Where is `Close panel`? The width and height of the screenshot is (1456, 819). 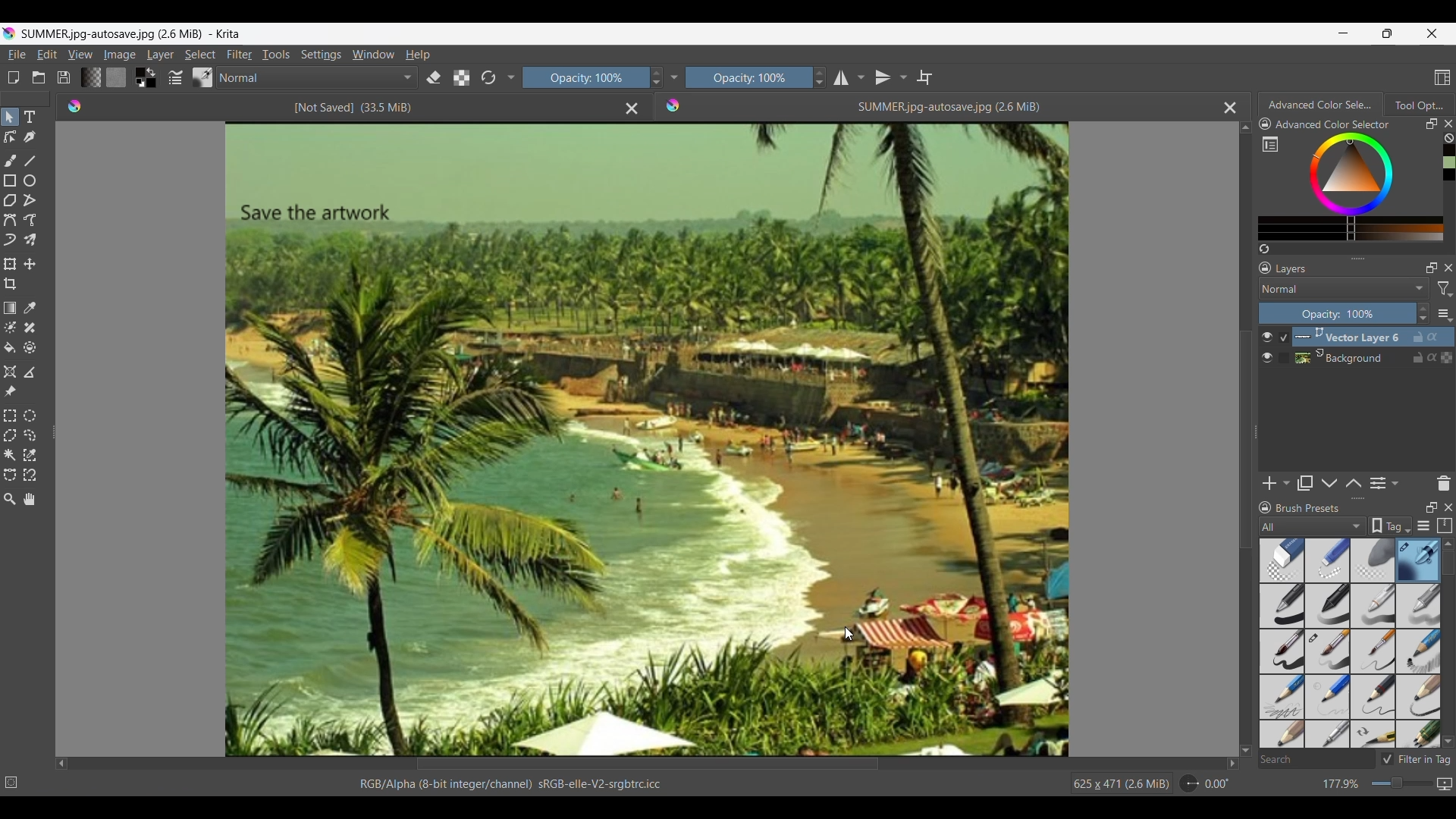 Close panel is located at coordinates (1448, 507).